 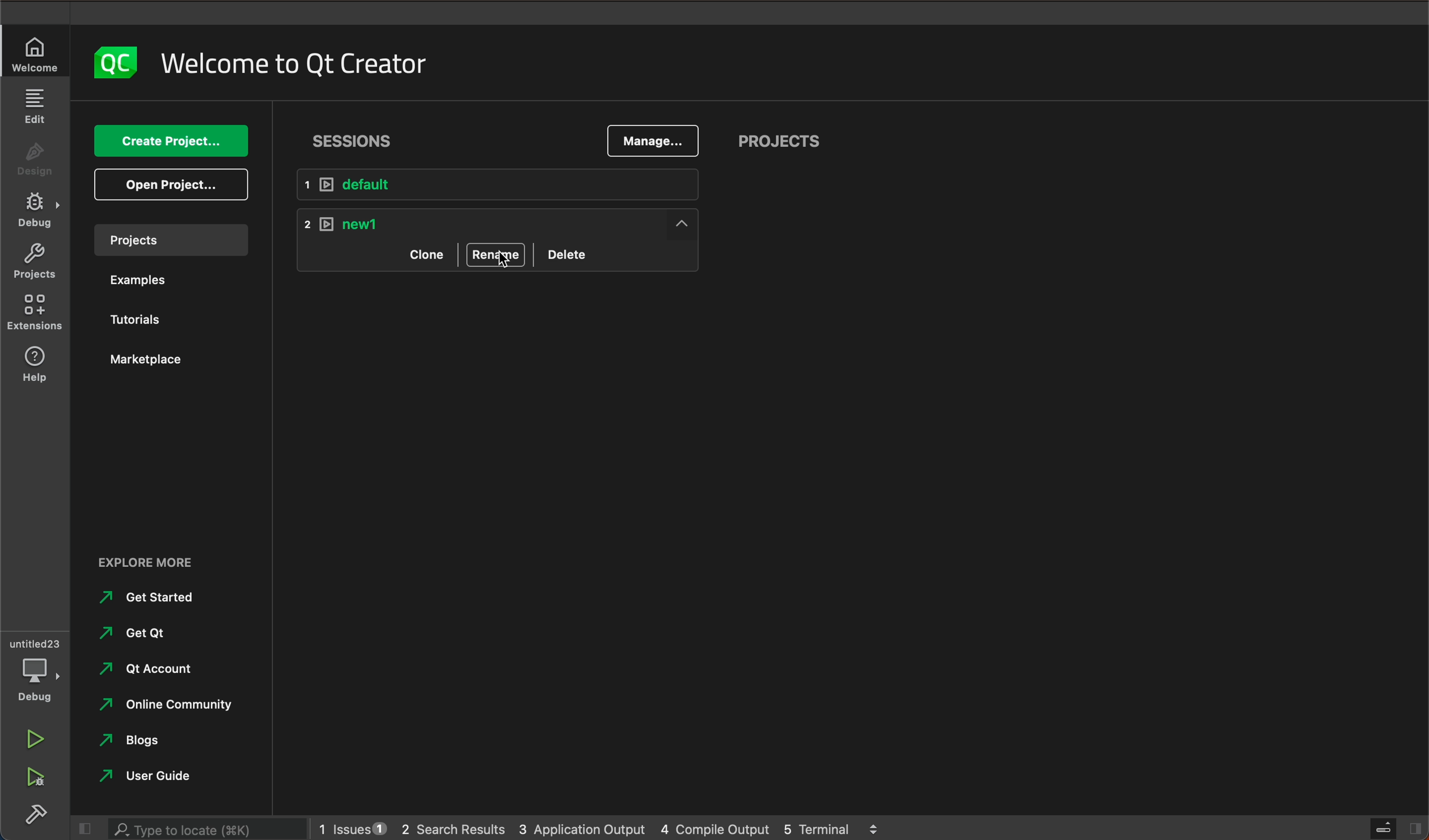 I want to click on MANAGE, so click(x=652, y=142).